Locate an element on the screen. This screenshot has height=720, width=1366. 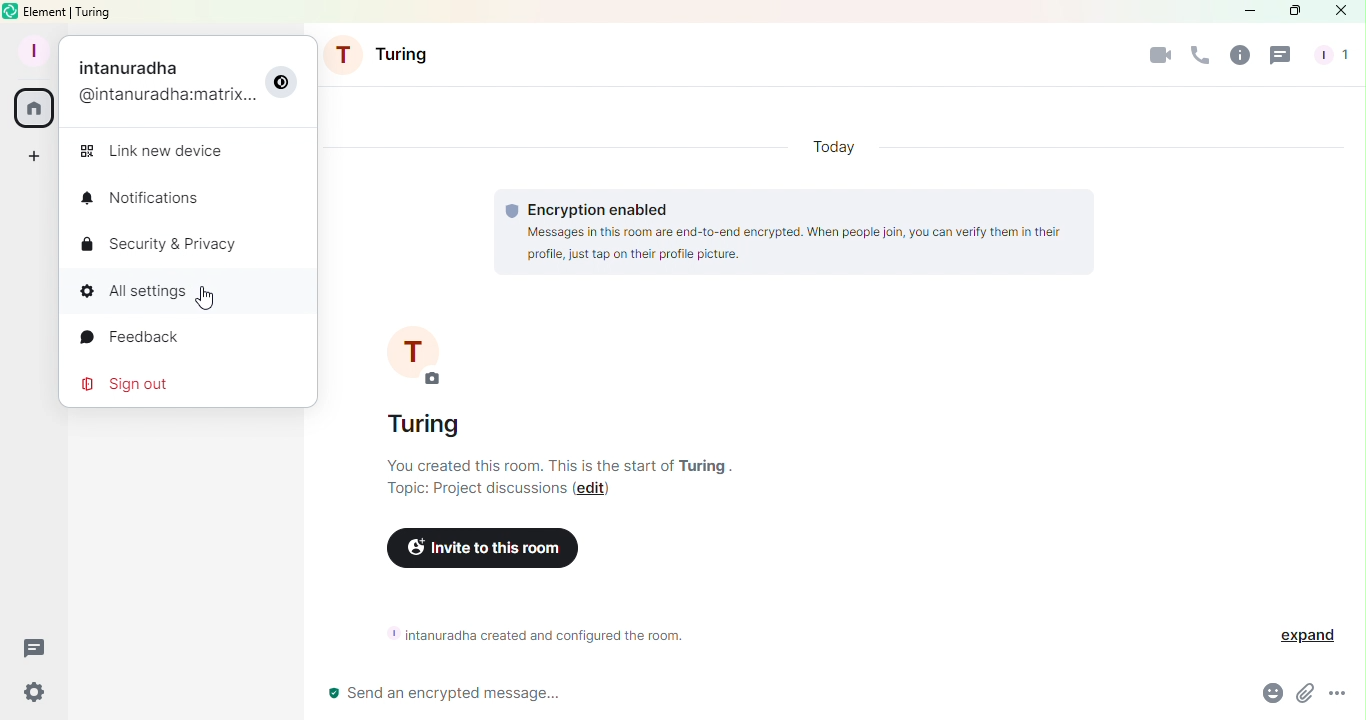
Maximize is located at coordinates (1291, 12).